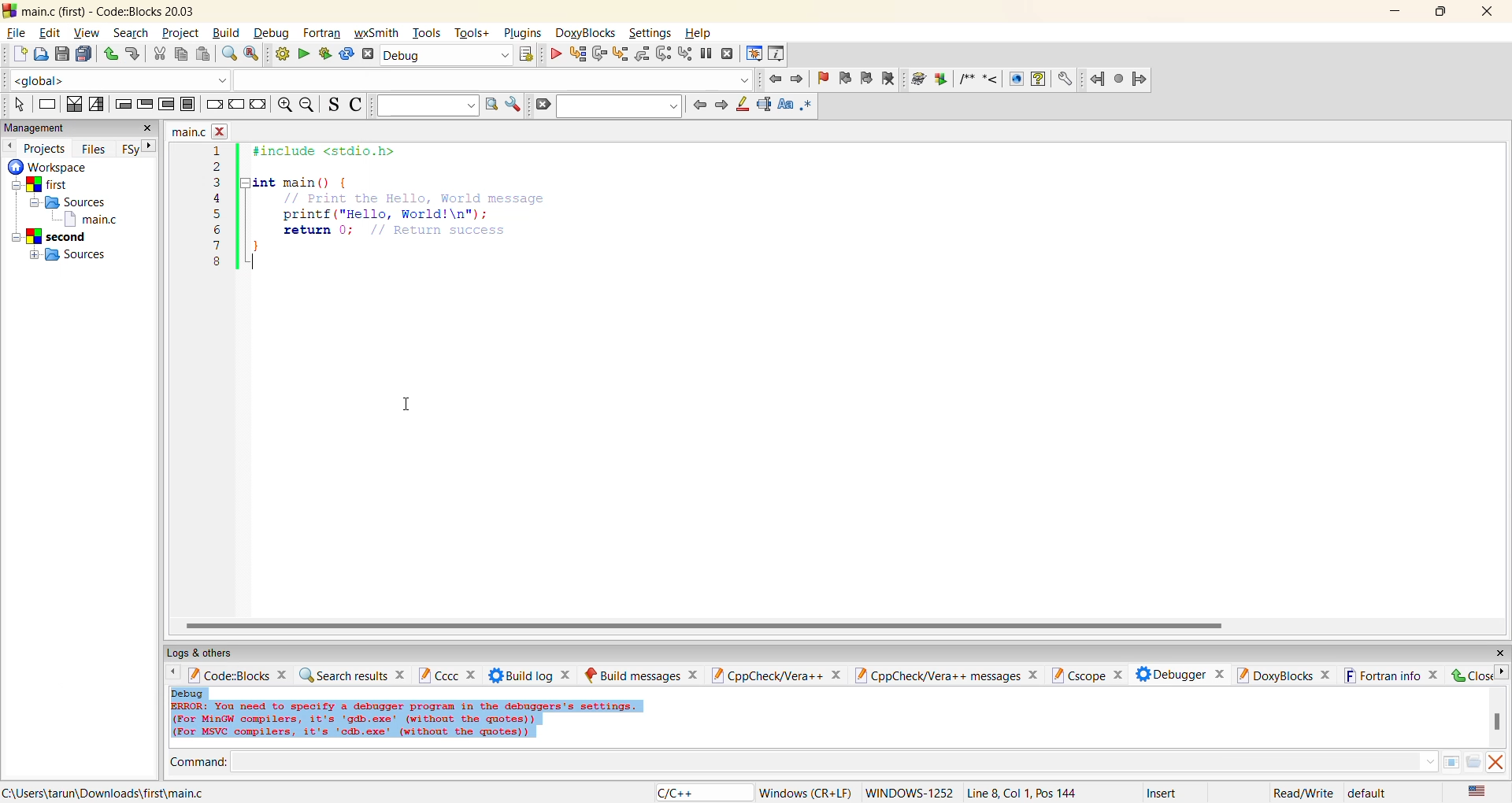 This screenshot has width=1512, height=803. Describe the element at coordinates (52, 235) in the screenshot. I see `second` at that location.